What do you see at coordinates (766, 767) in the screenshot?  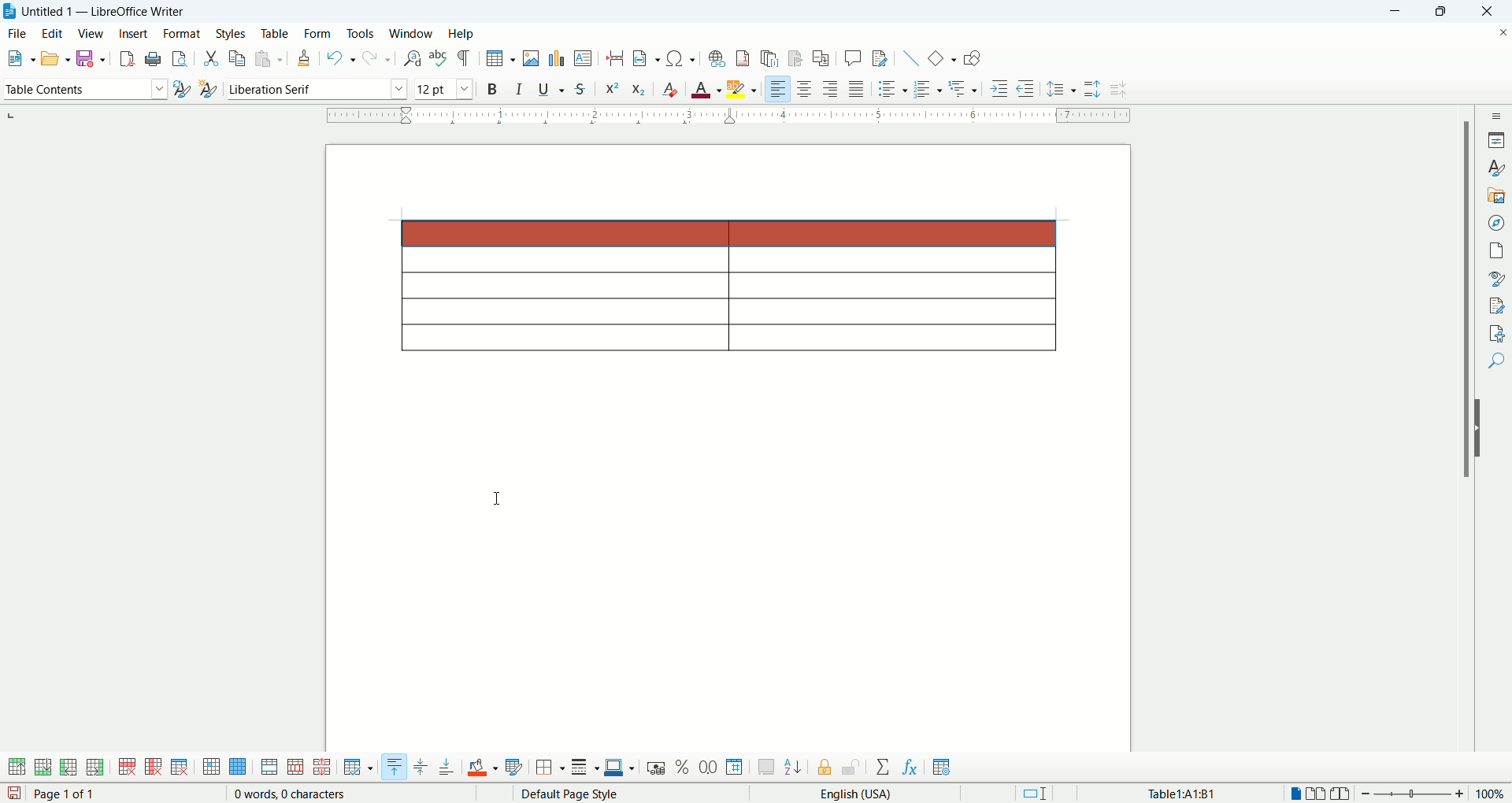 I see `insert caption` at bounding box center [766, 767].